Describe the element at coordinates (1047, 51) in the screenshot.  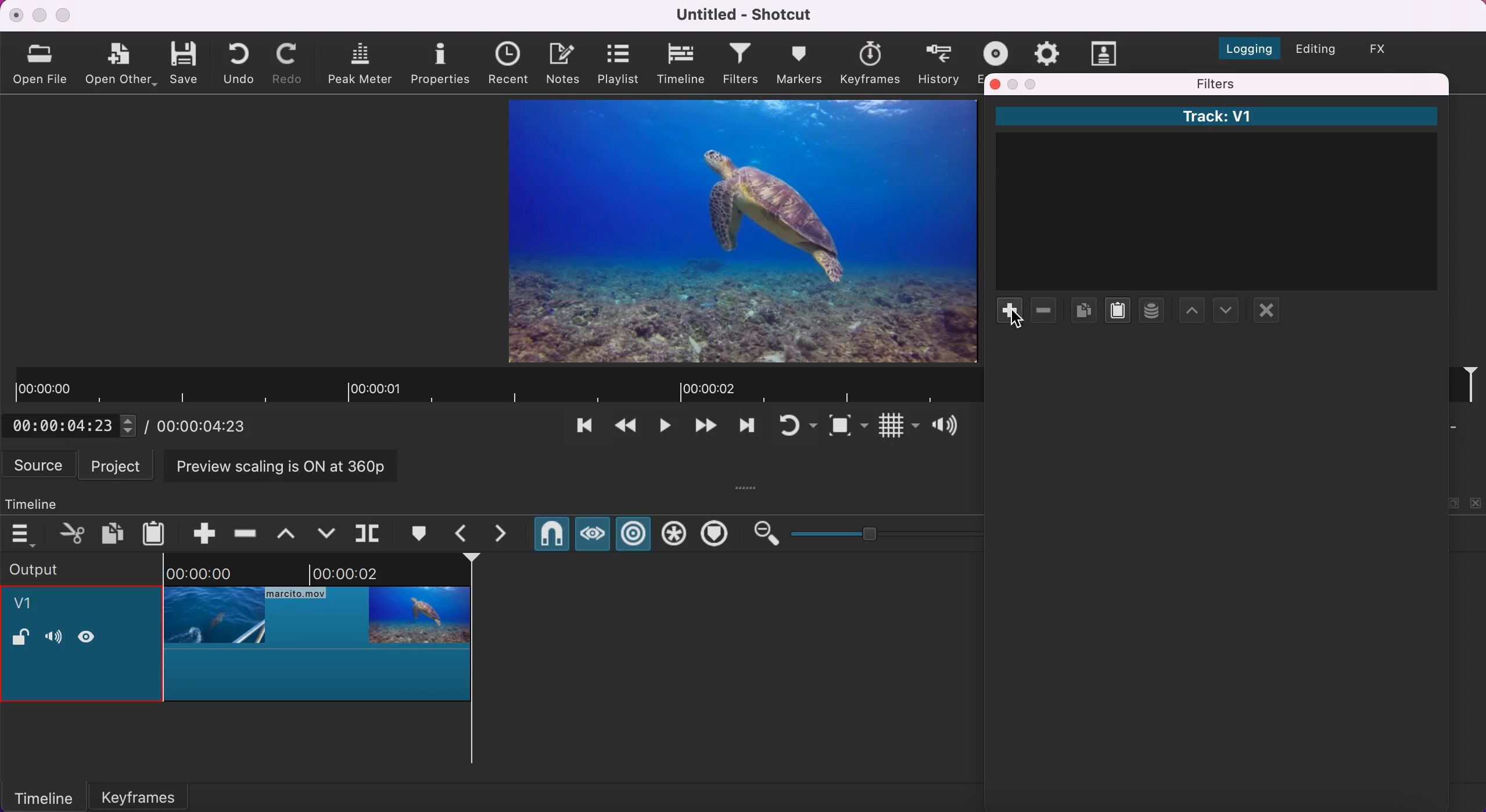
I see `jobs` at that location.